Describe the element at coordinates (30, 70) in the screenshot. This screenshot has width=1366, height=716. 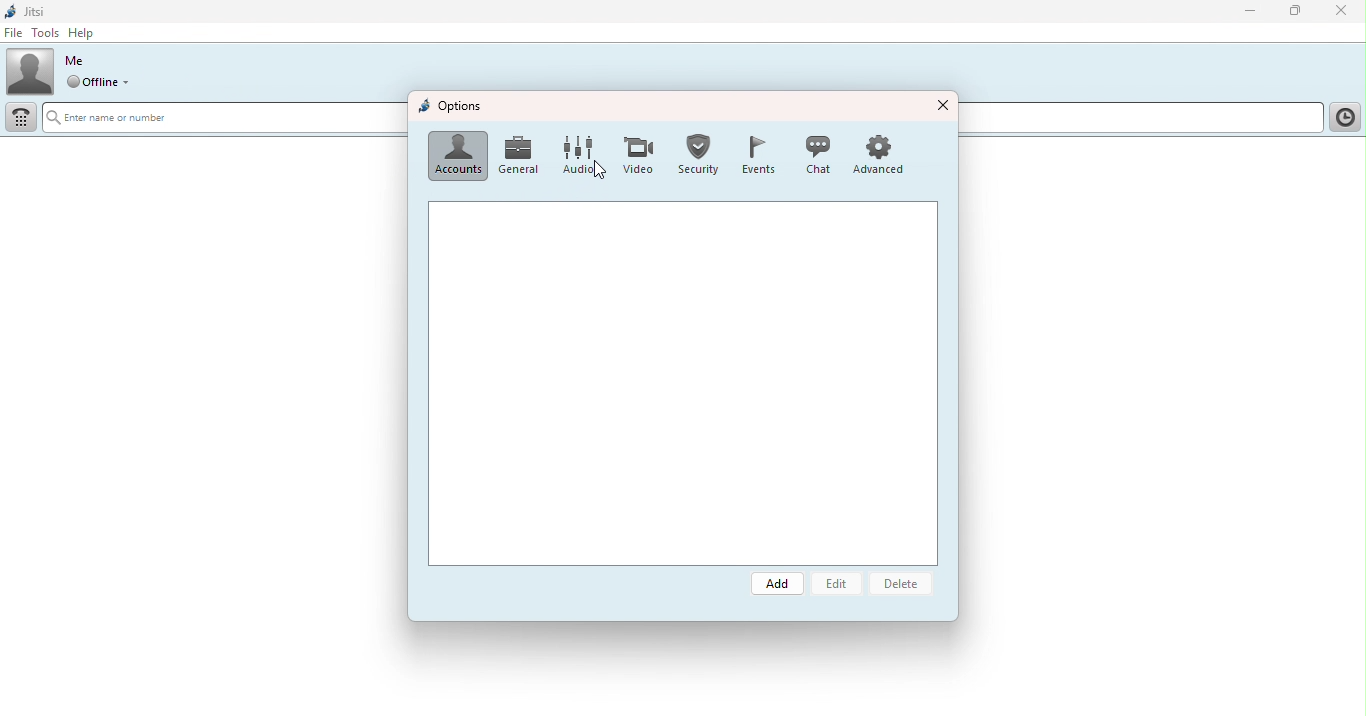
I see `Profile picture` at that location.